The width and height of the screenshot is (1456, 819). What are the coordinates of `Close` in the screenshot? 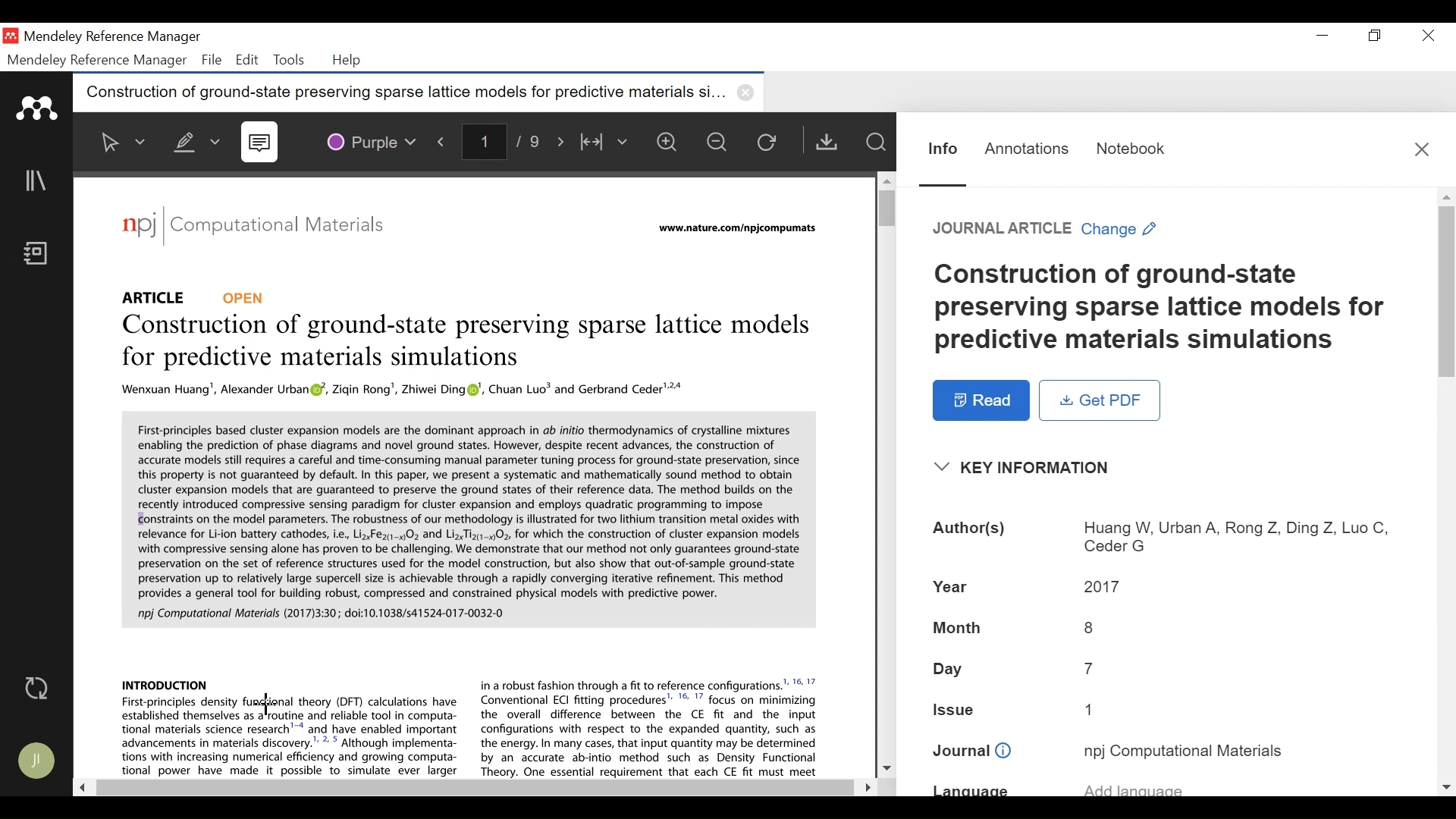 It's located at (1423, 148).